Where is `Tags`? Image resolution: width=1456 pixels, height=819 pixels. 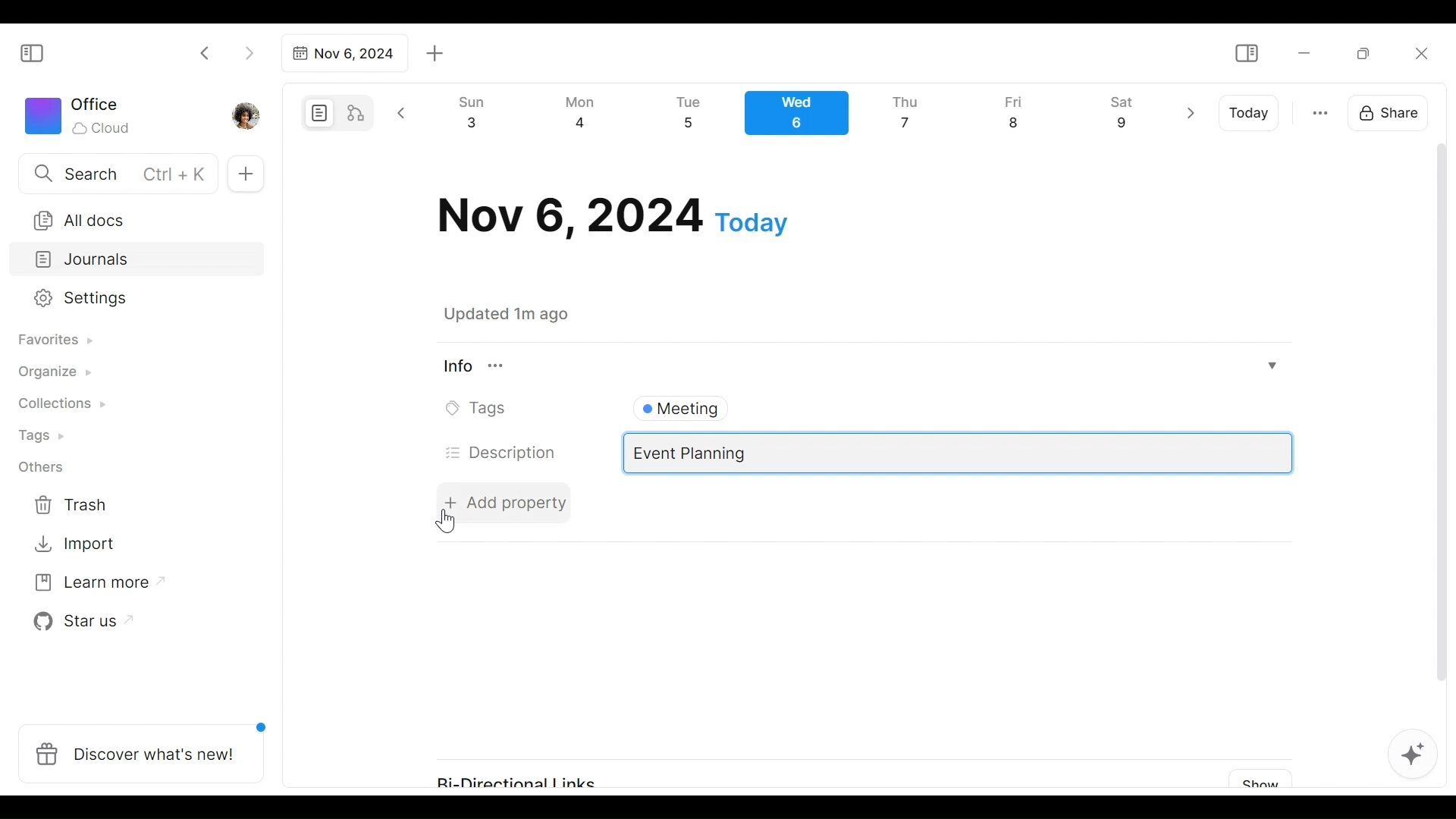 Tags is located at coordinates (43, 438).